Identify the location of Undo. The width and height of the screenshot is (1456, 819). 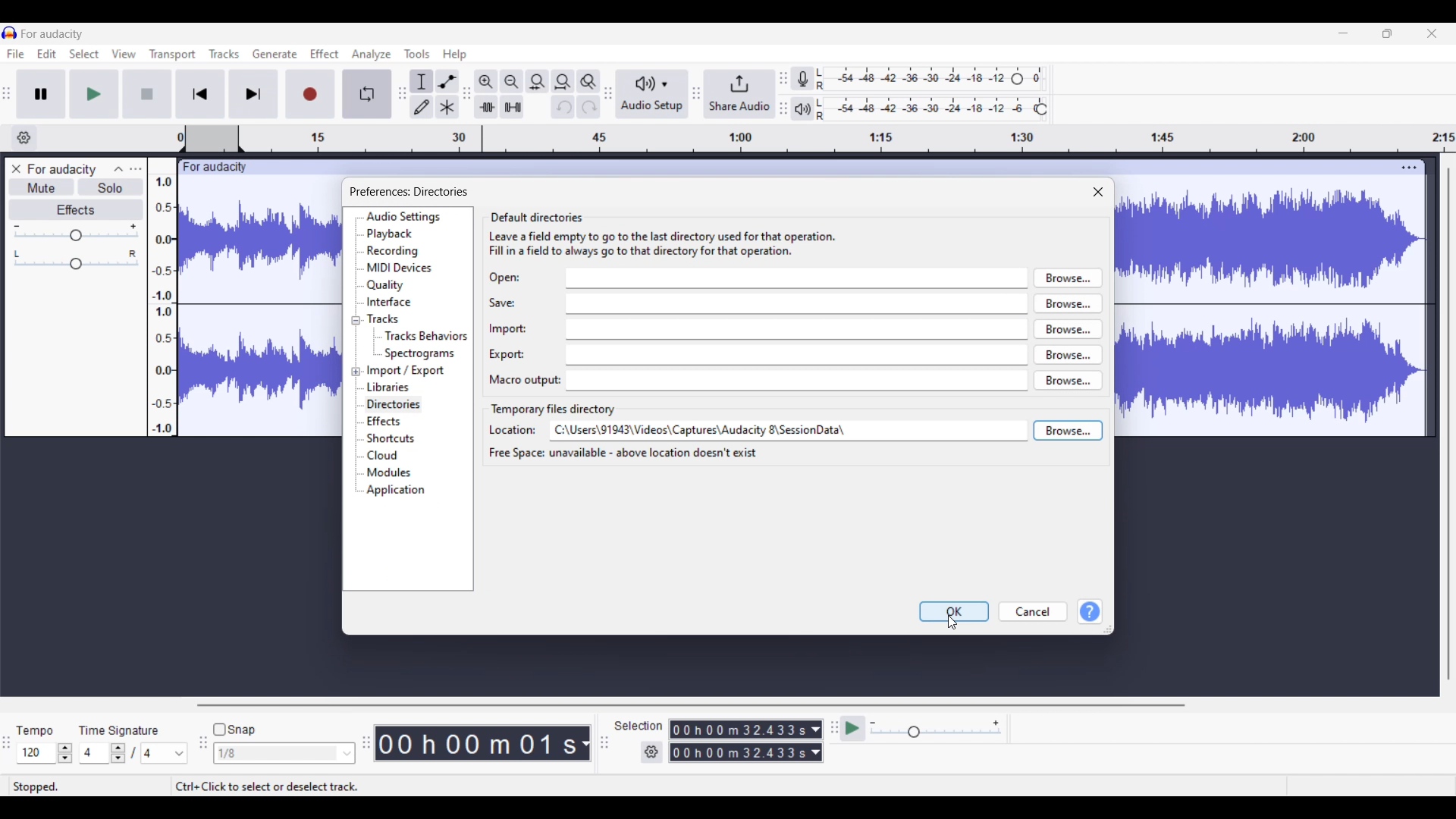
(563, 107).